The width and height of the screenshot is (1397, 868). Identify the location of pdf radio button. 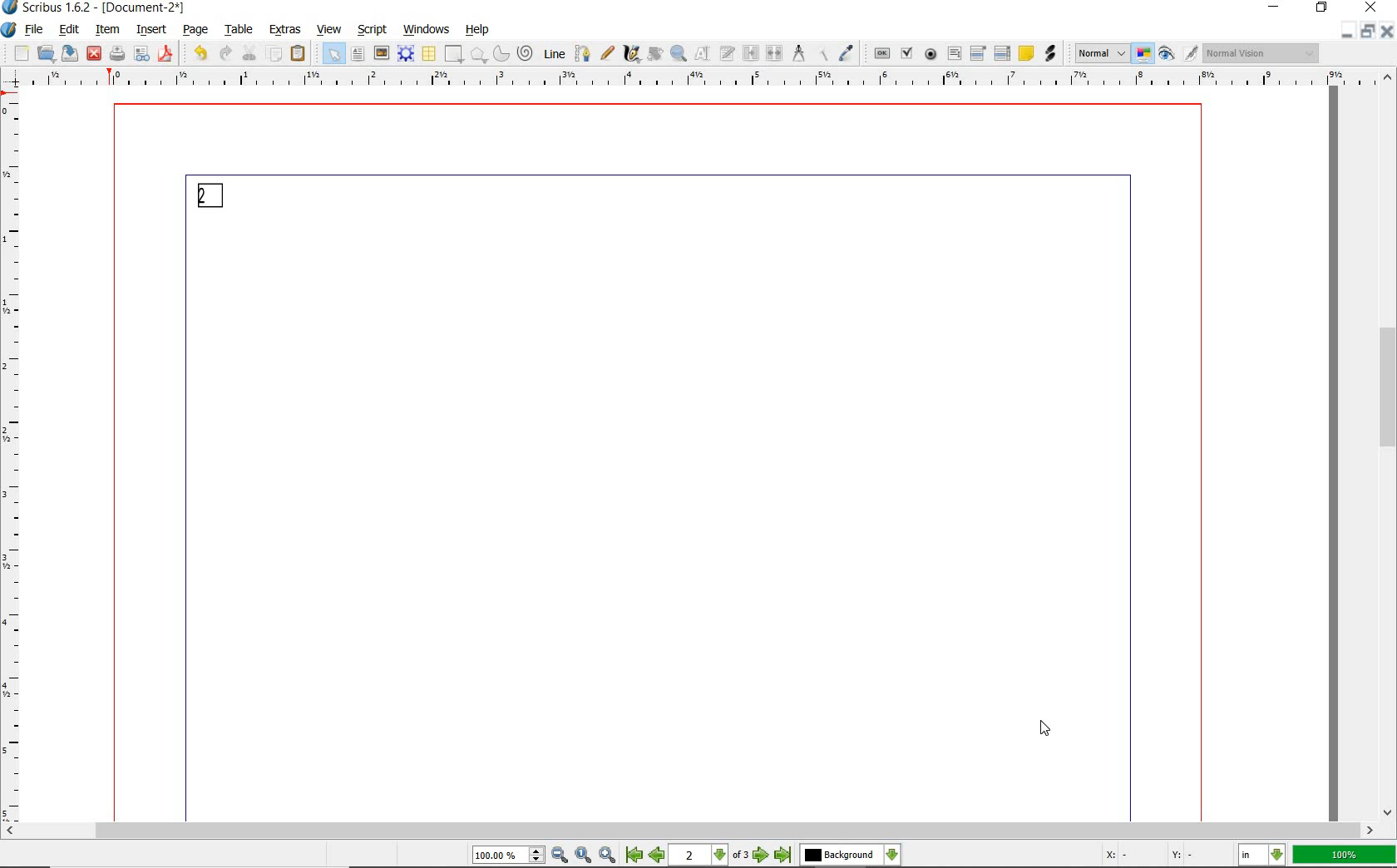
(931, 54).